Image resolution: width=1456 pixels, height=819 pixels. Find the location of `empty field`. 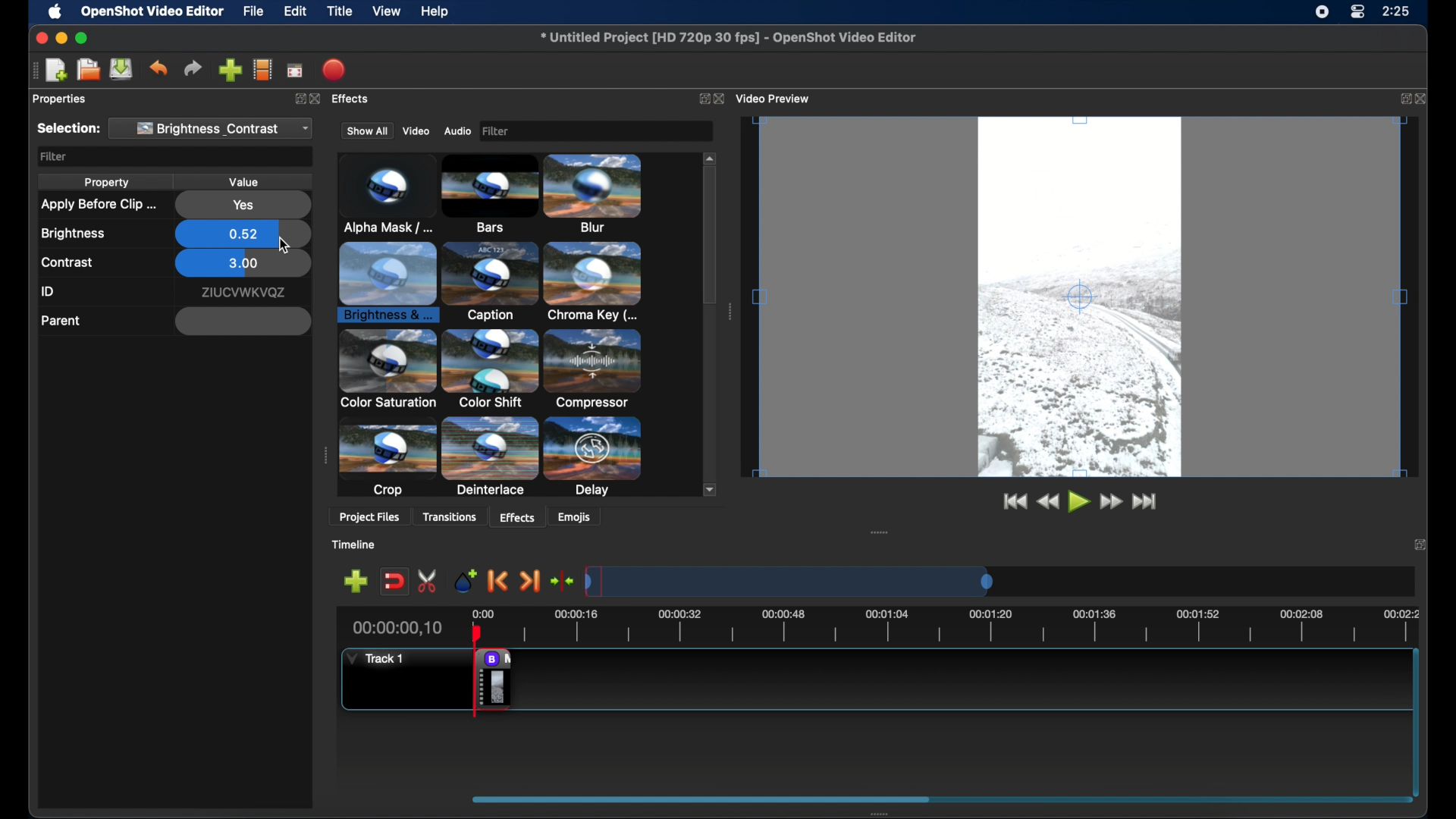

empty field is located at coordinates (243, 322).